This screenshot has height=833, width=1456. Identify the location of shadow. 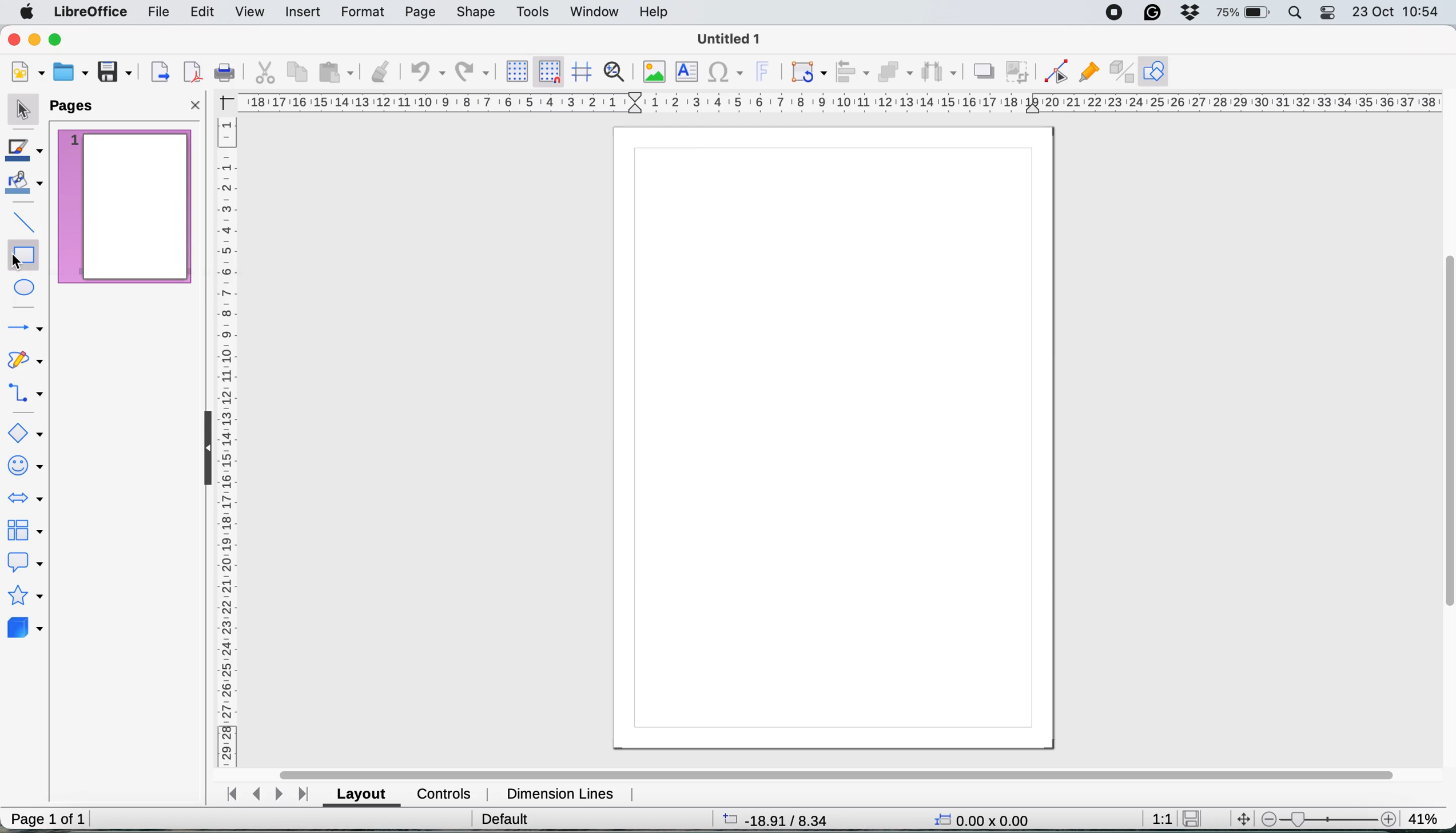
(984, 71).